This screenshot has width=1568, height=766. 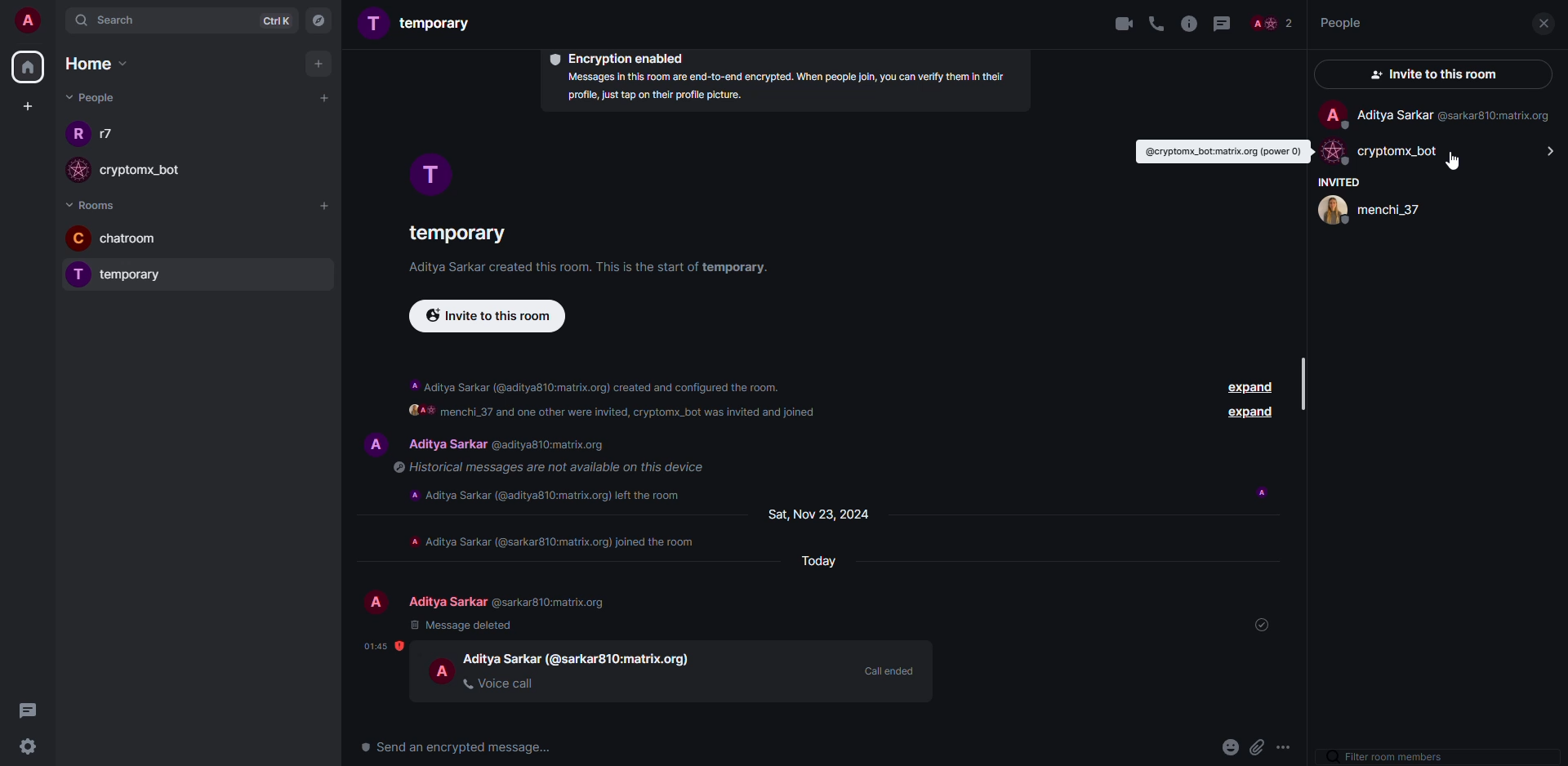 I want to click on video call, so click(x=1116, y=23).